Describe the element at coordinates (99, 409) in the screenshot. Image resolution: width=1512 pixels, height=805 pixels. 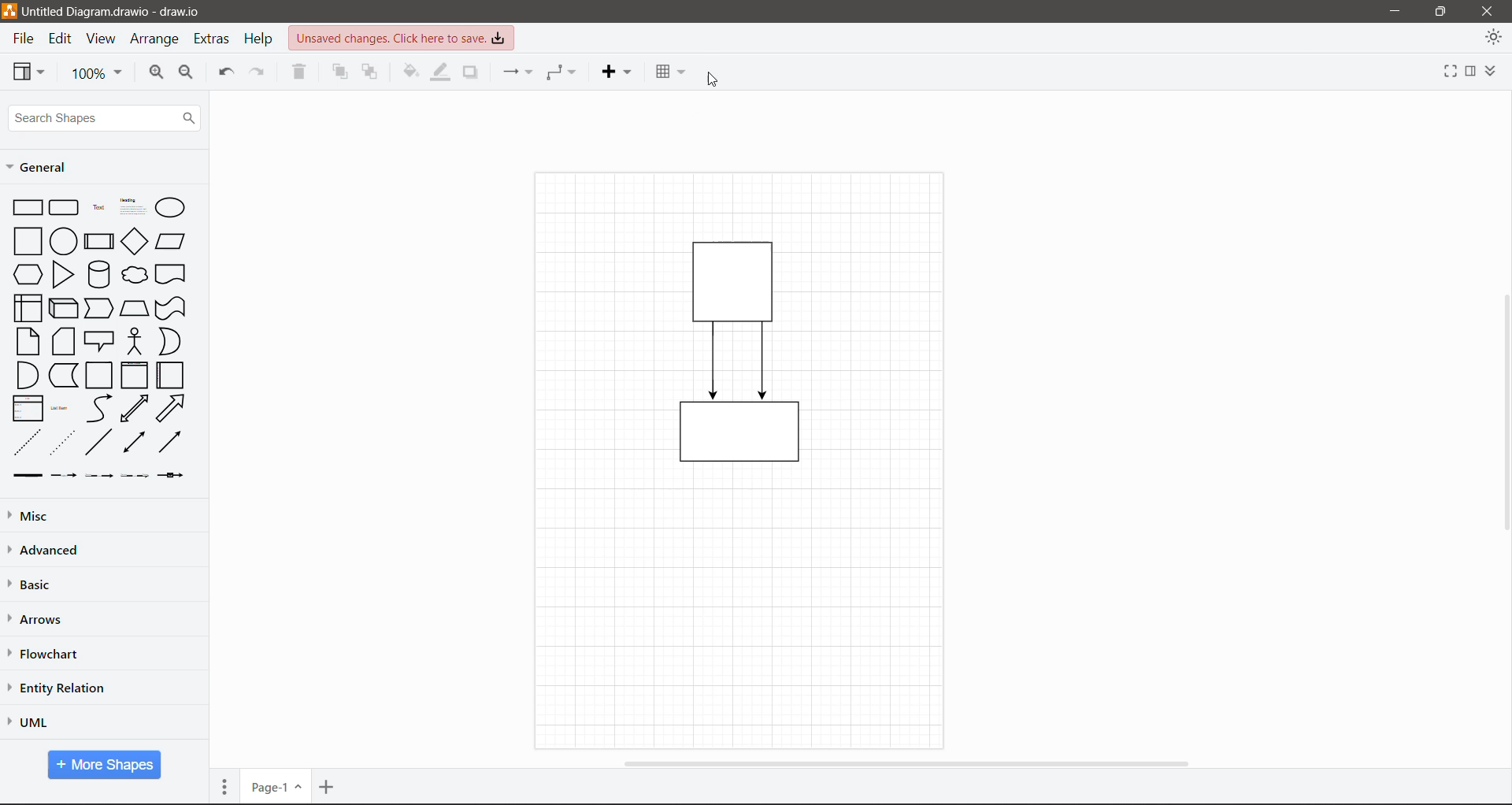
I see `curve` at that location.